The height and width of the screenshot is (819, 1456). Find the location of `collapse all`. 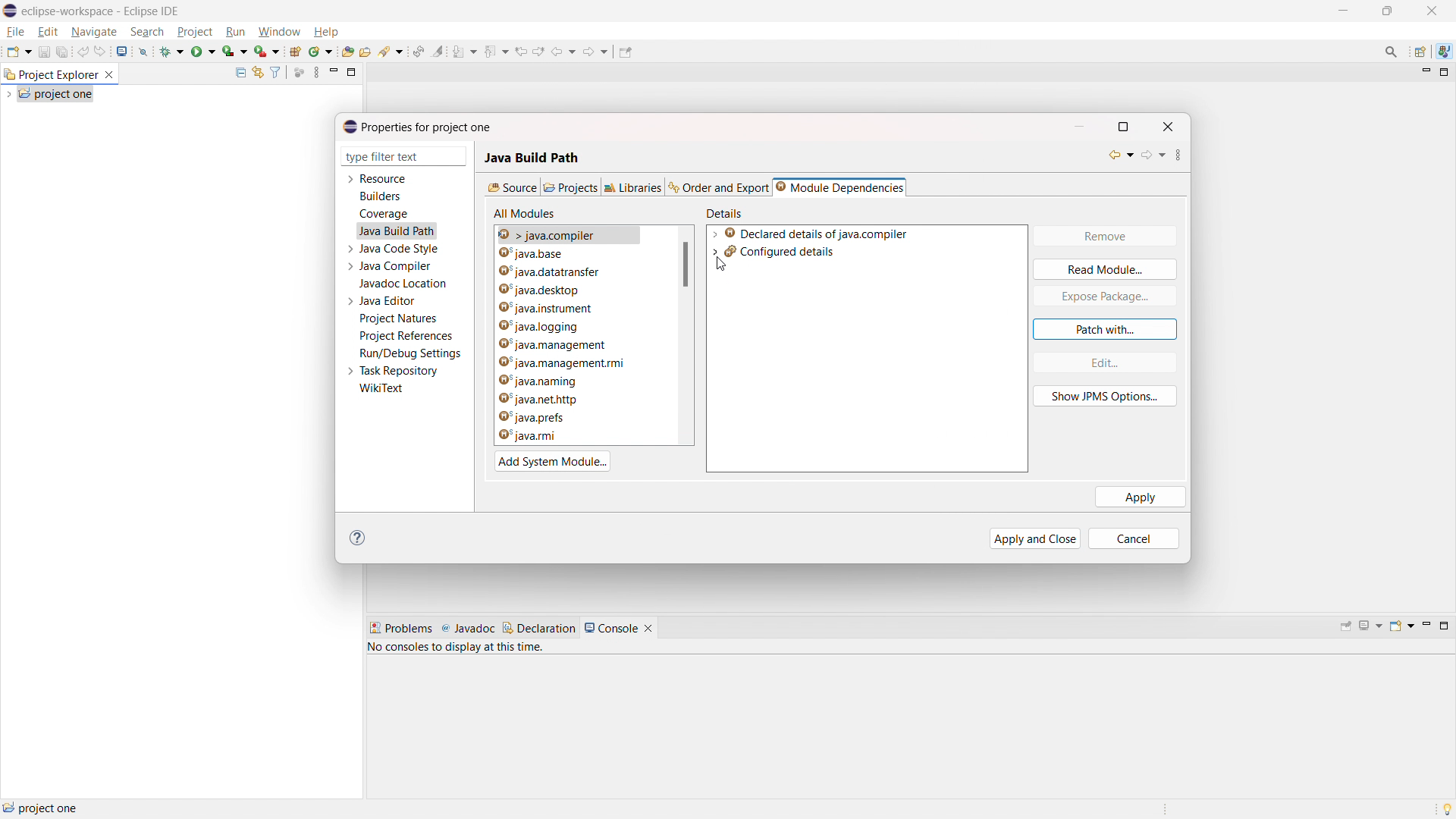

collapse all is located at coordinates (240, 72).